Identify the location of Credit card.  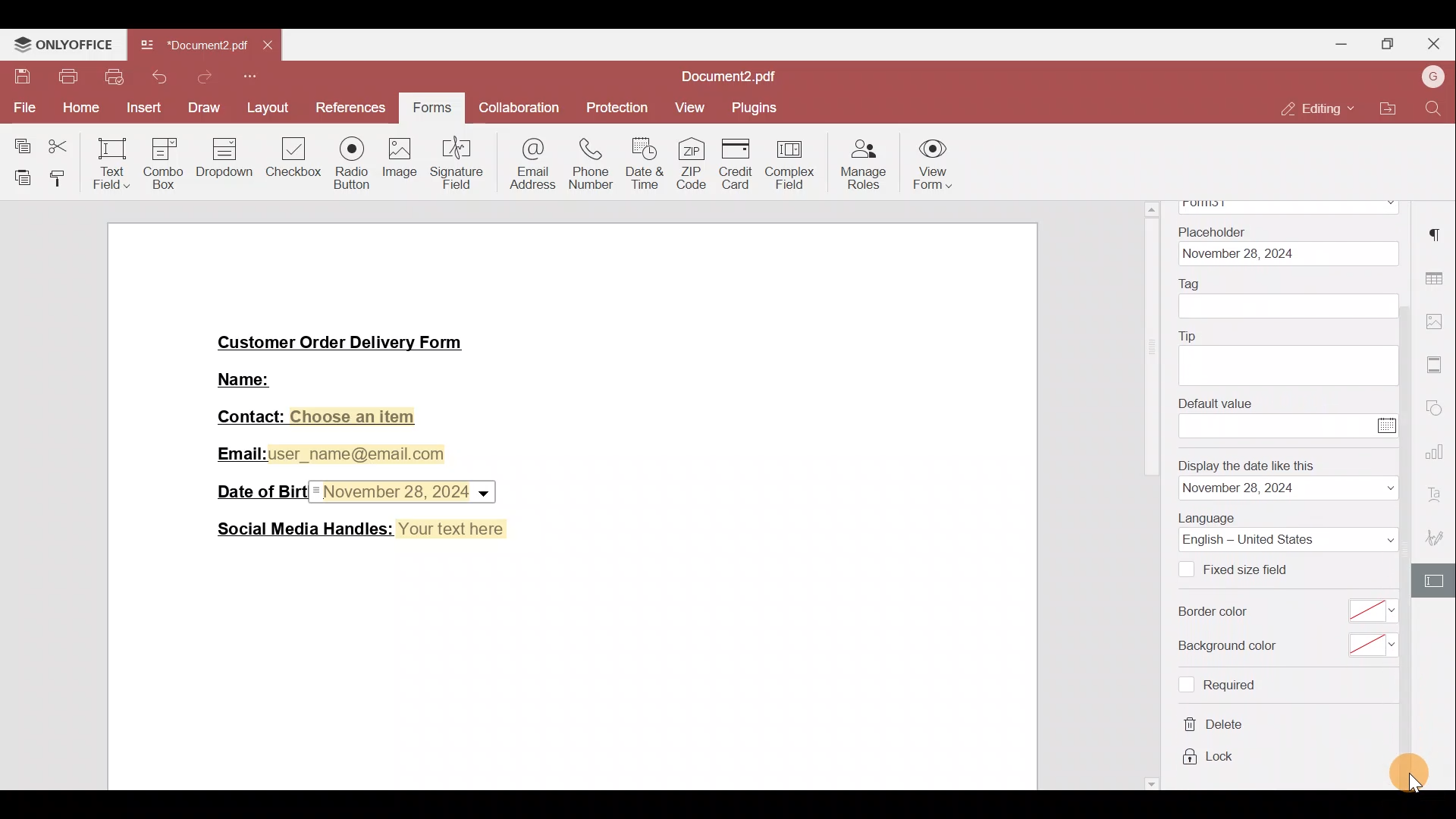
(742, 165).